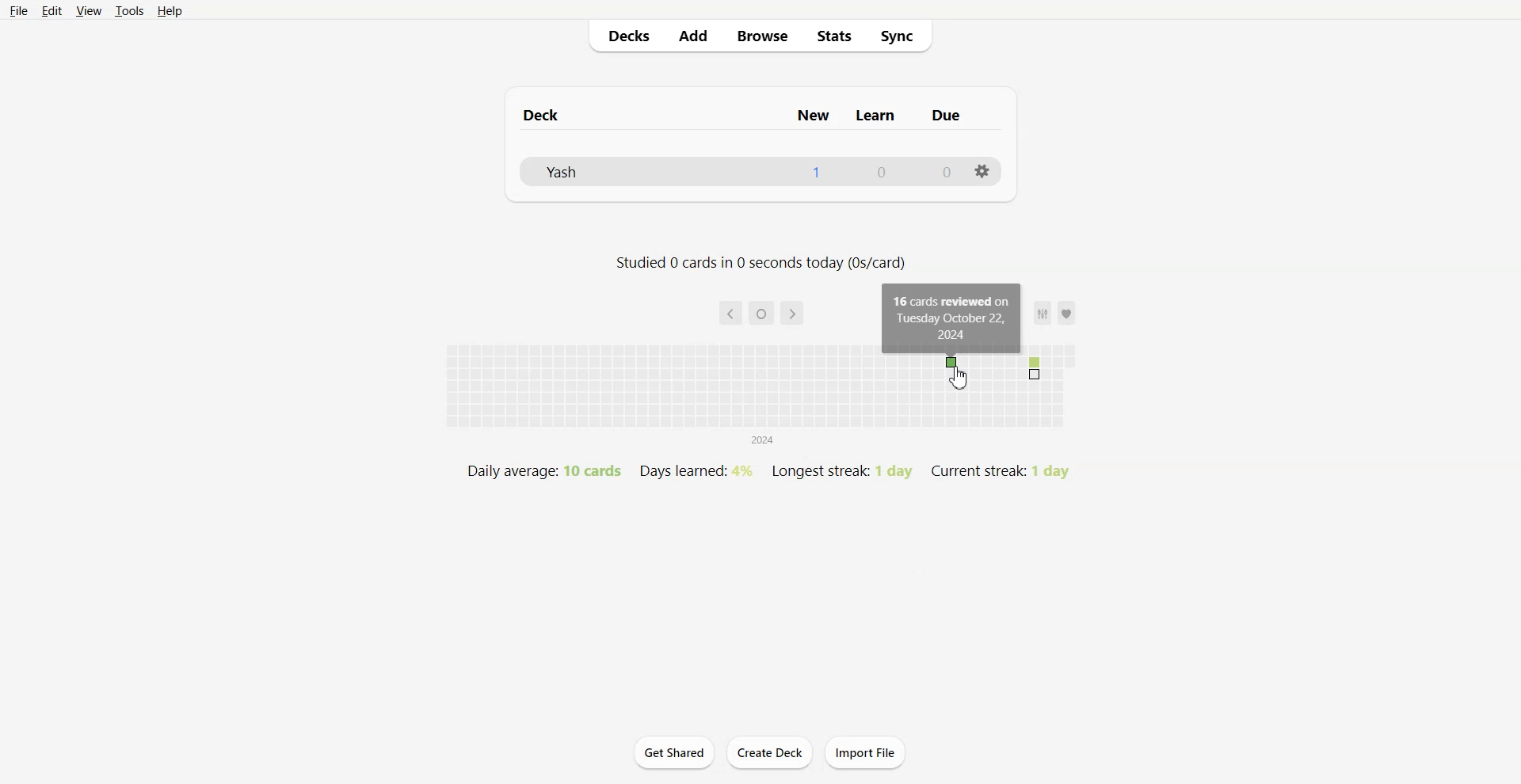 Image resolution: width=1521 pixels, height=784 pixels. Describe the element at coordinates (769, 752) in the screenshot. I see `Create Deck` at that location.